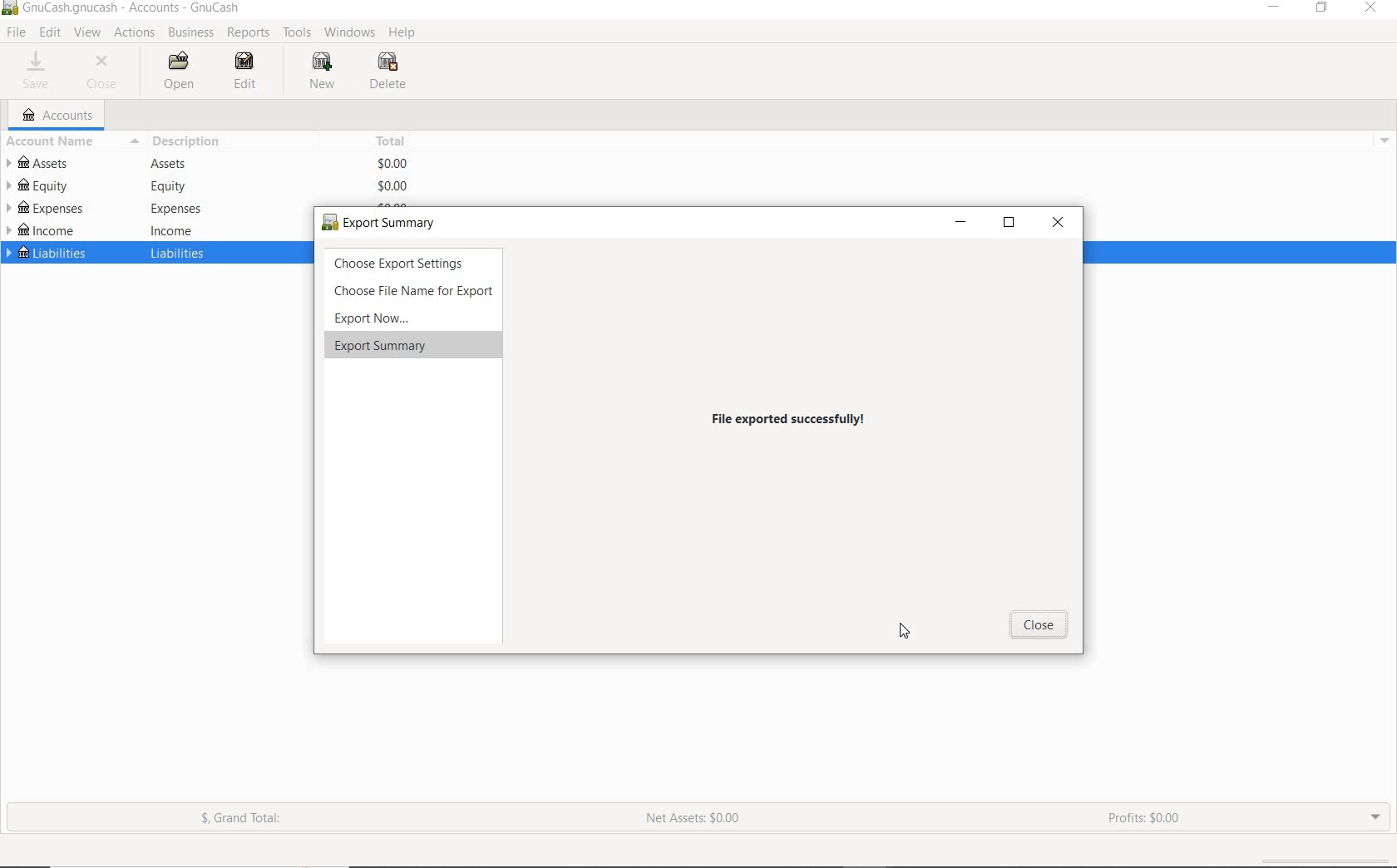  What do you see at coordinates (170, 163) in the screenshot?
I see `Assets` at bounding box center [170, 163].